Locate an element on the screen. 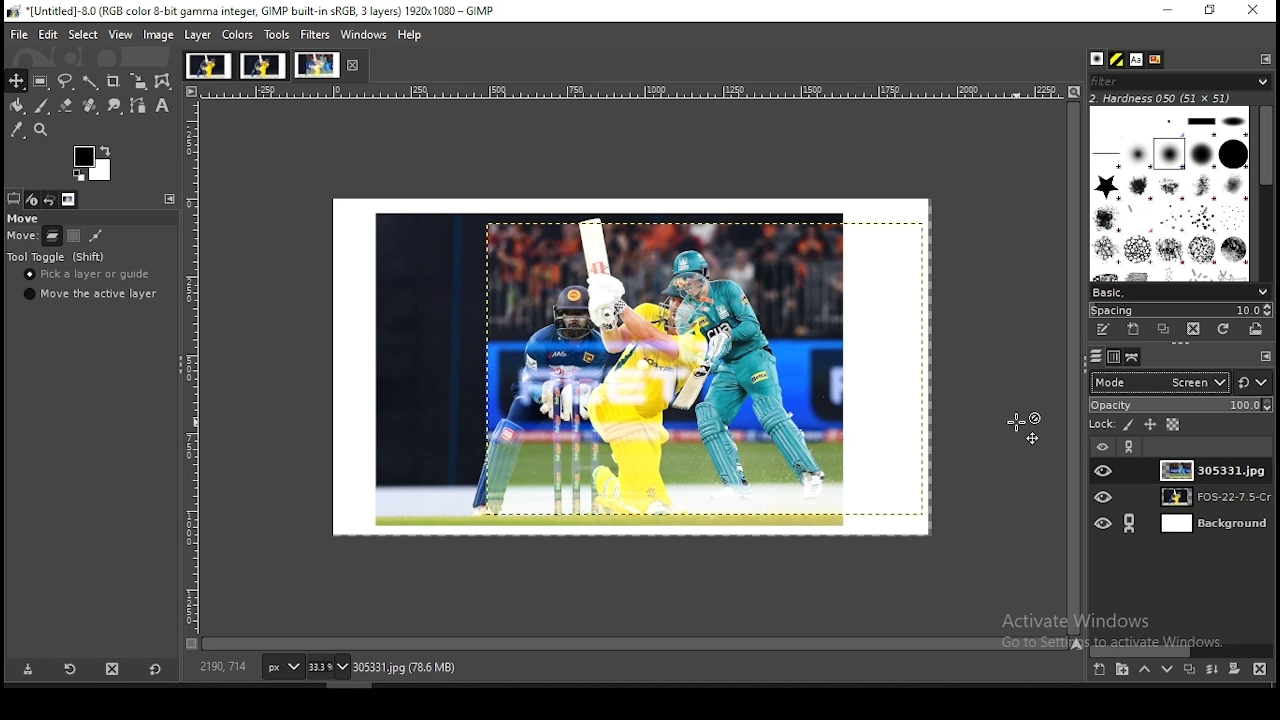  switch to other mode groups is located at coordinates (1254, 382).